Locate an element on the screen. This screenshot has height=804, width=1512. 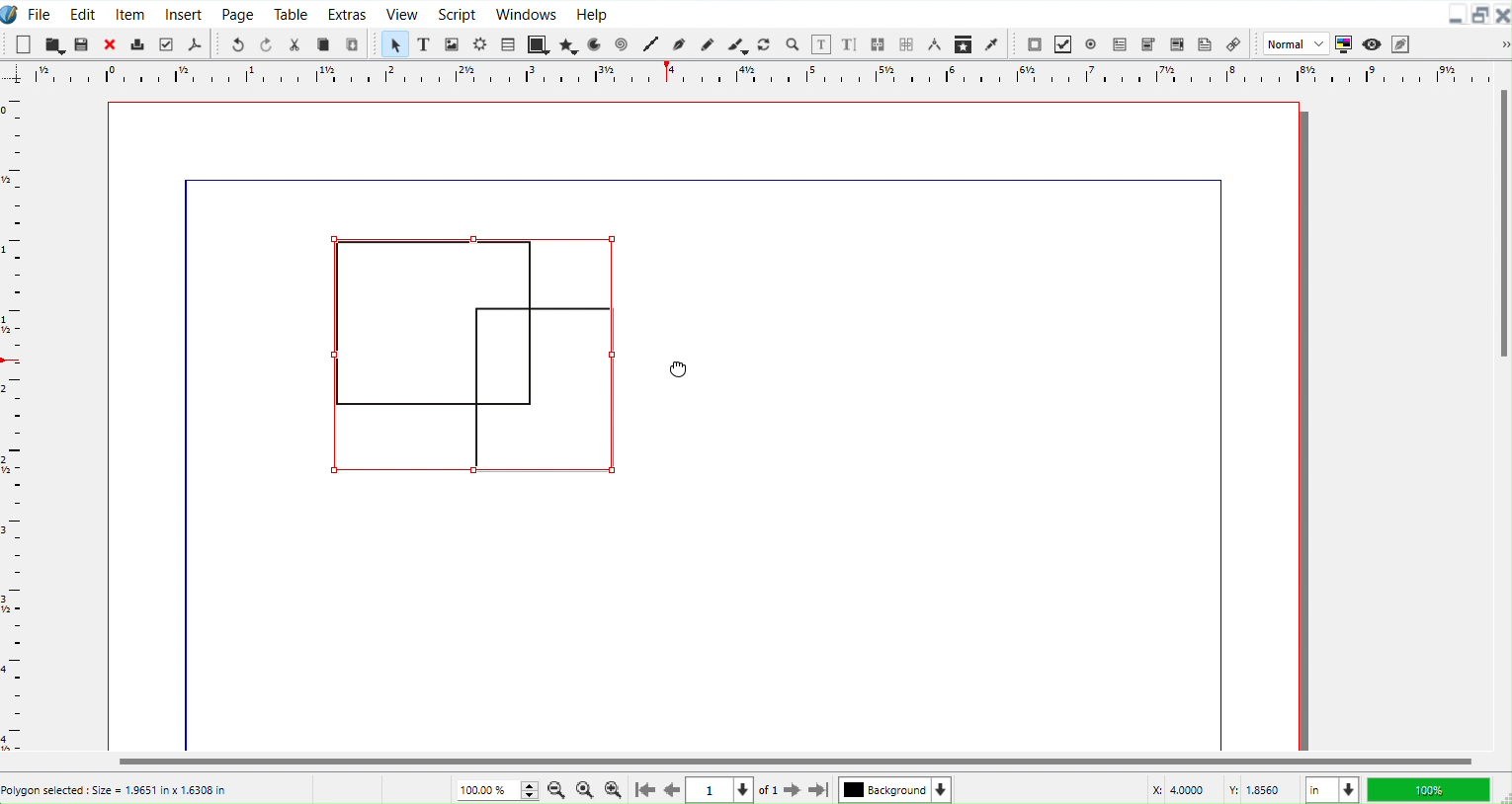
Vertical Scroll Bar is located at coordinates (1501, 404).